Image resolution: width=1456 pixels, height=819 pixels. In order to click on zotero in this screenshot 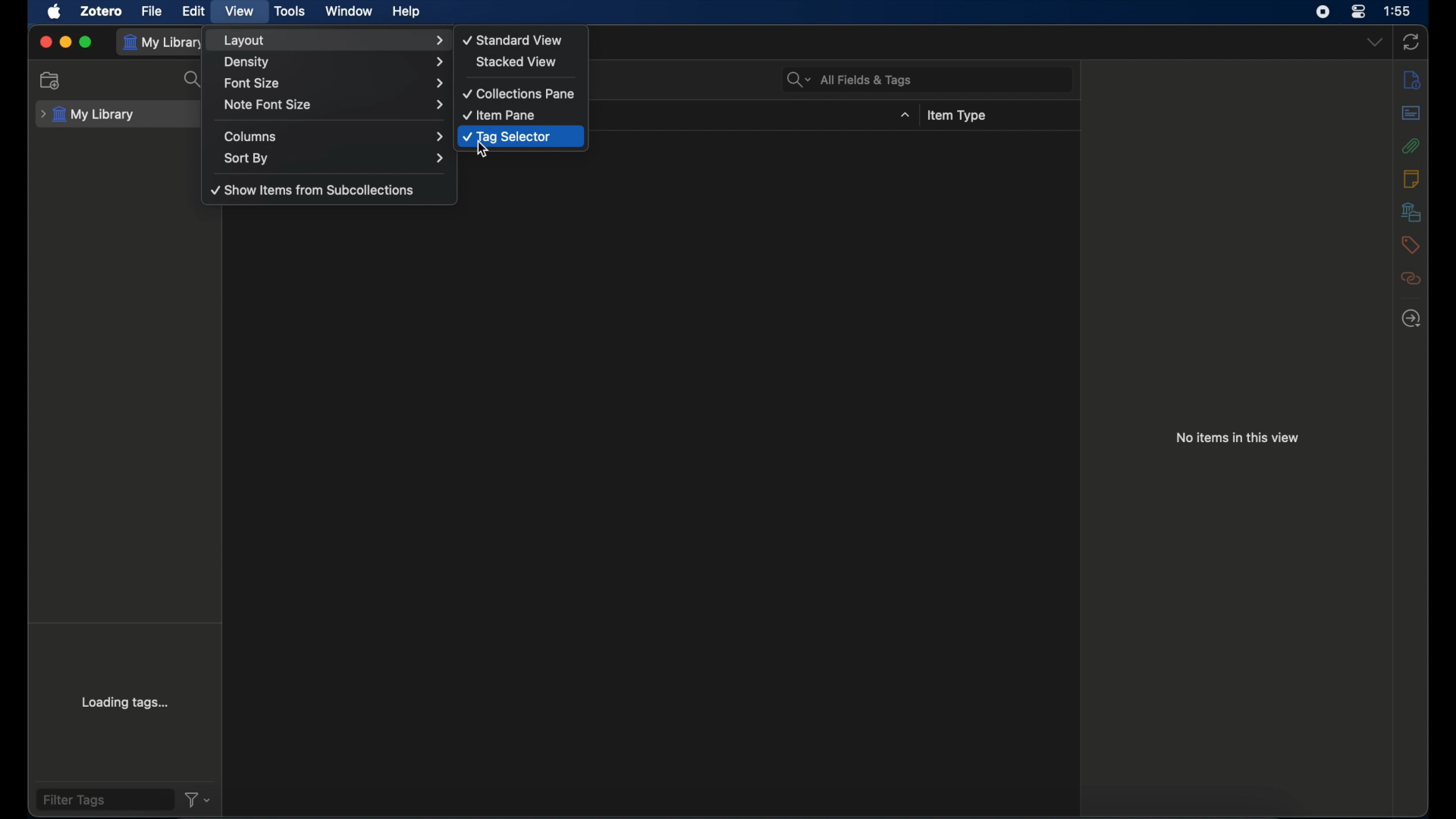, I will do `click(100, 11)`.